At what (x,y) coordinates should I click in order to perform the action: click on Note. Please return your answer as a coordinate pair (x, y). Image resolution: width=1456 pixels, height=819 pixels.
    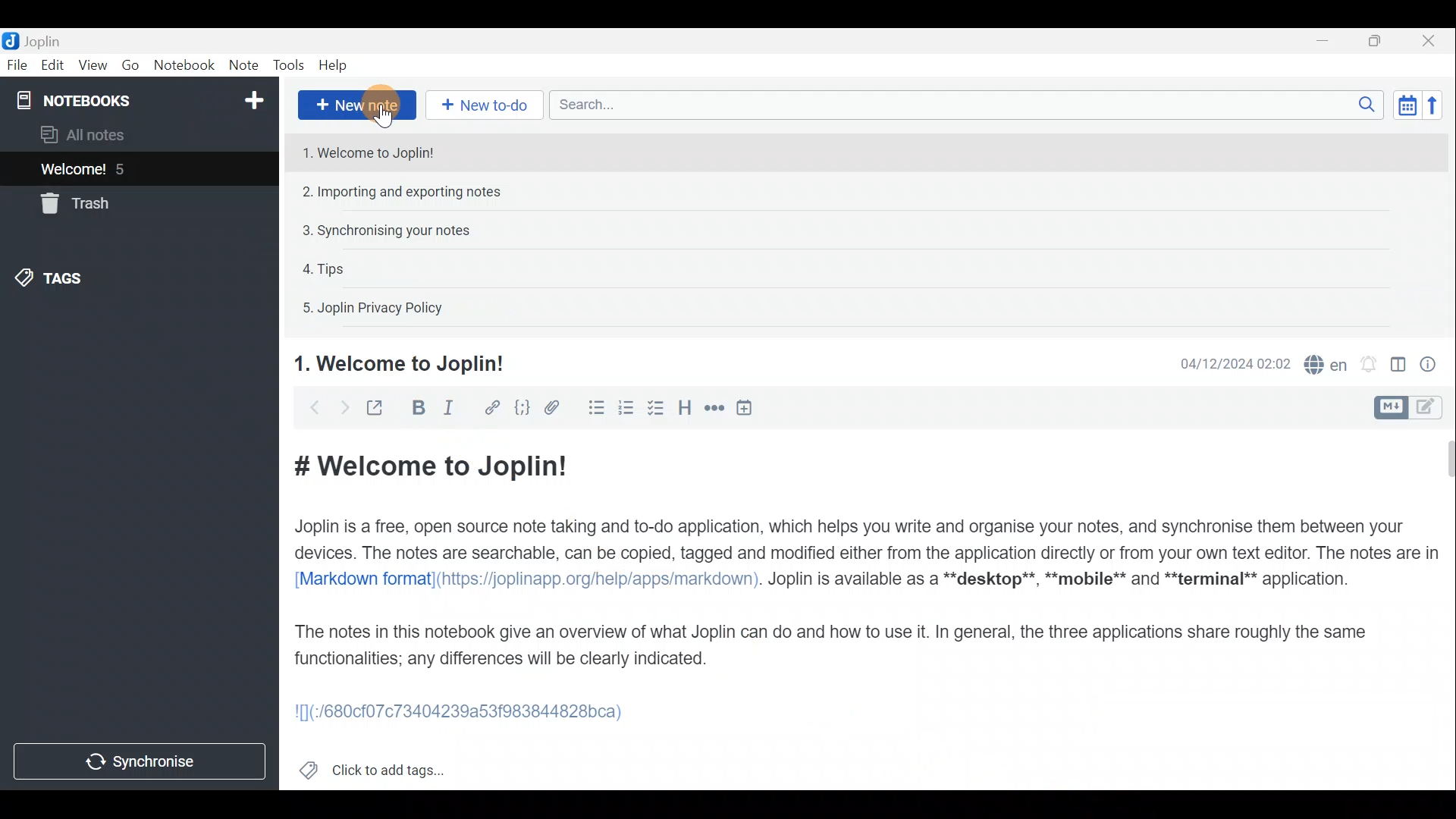
    Looking at the image, I should click on (241, 62).